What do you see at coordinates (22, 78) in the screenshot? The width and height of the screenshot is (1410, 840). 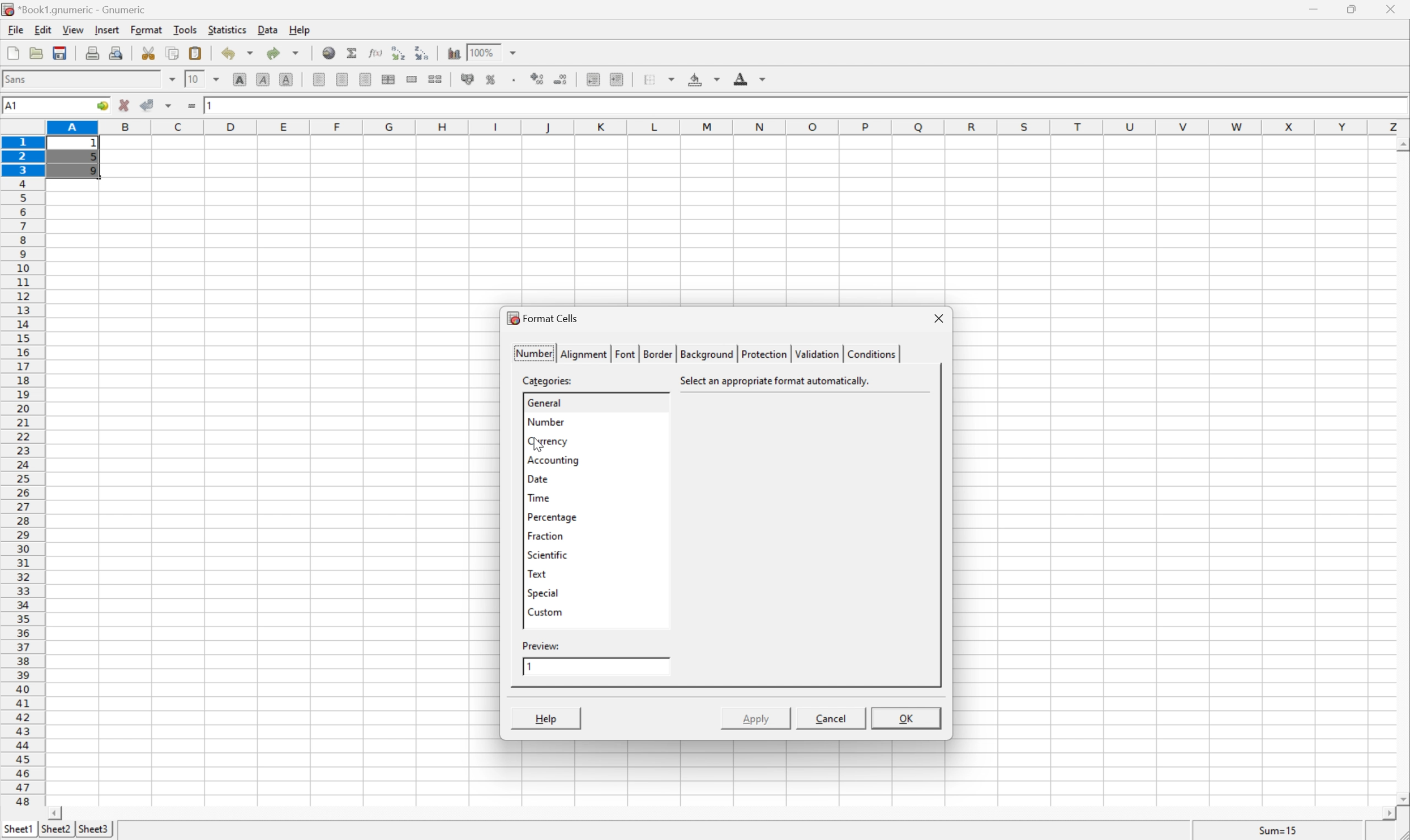 I see `font` at bounding box center [22, 78].